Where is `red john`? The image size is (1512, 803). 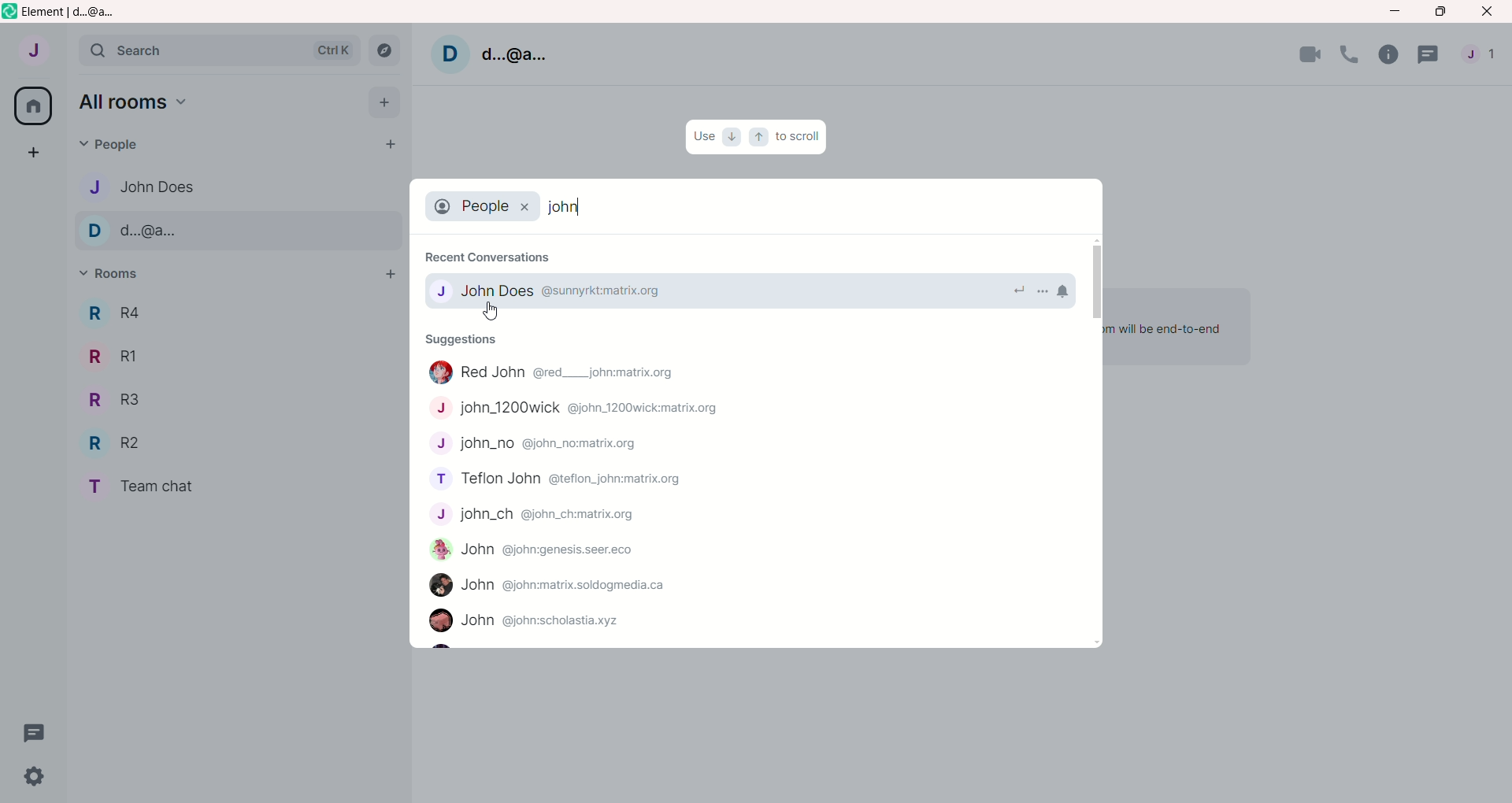
red john is located at coordinates (551, 372).